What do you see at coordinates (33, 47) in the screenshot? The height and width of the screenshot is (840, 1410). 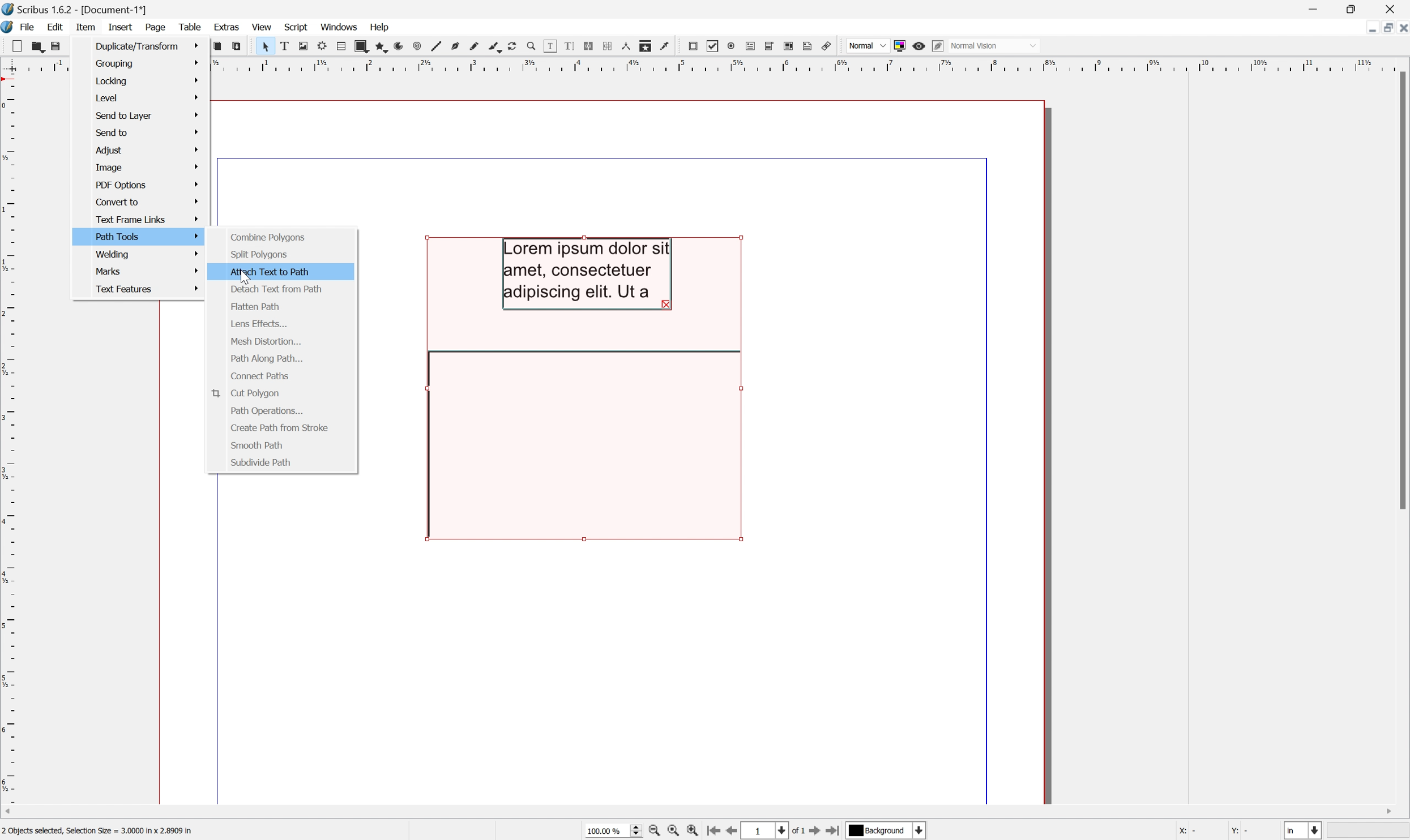 I see `Open` at bounding box center [33, 47].